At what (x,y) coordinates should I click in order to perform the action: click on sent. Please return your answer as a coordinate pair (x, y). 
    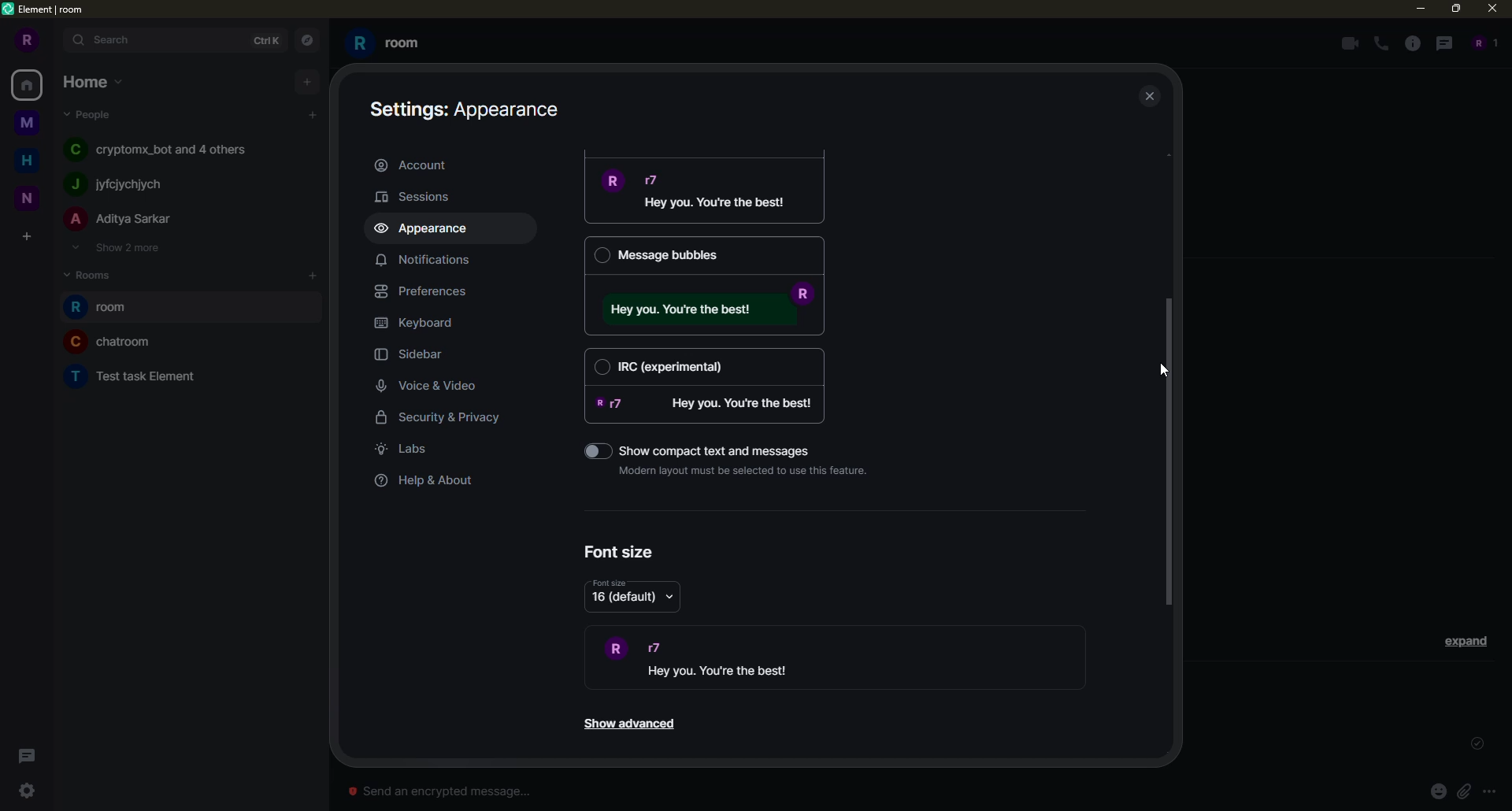
    Looking at the image, I should click on (1474, 744).